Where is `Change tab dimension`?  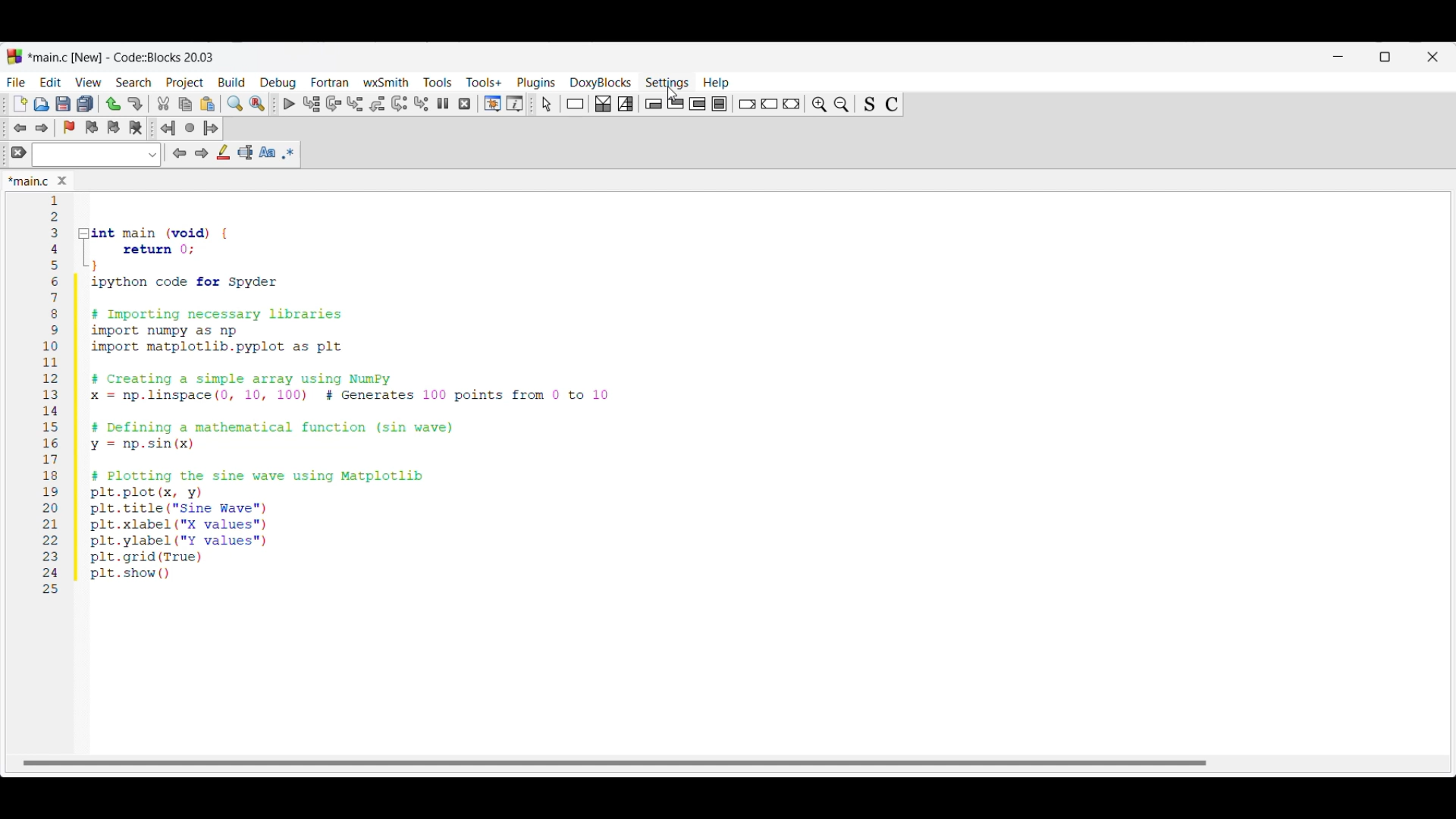 Change tab dimension is located at coordinates (1385, 57).